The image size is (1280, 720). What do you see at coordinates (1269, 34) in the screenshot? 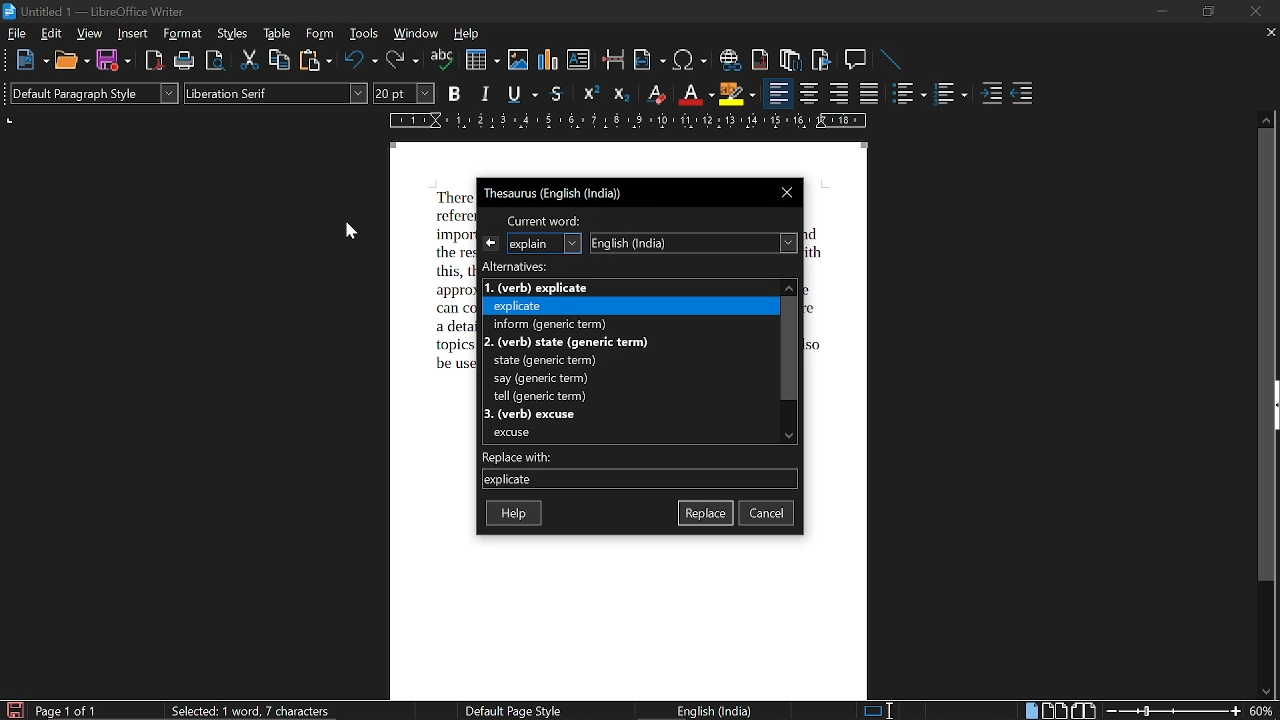
I see `close tab` at bounding box center [1269, 34].